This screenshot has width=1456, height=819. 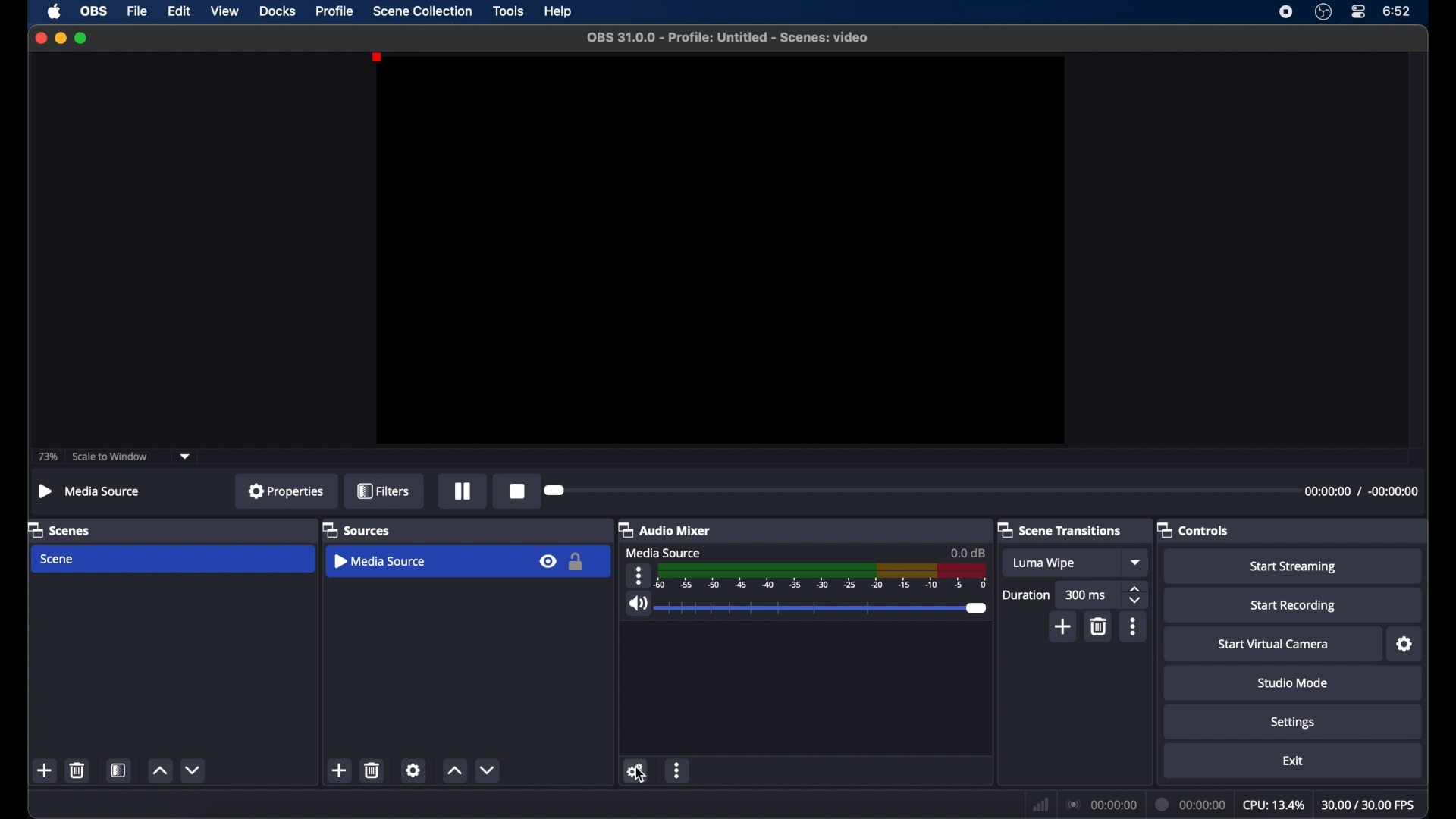 What do you see at coordinates (1100, 627) in the screenshot?
I see `delete` at bounding box center [1100, 627].